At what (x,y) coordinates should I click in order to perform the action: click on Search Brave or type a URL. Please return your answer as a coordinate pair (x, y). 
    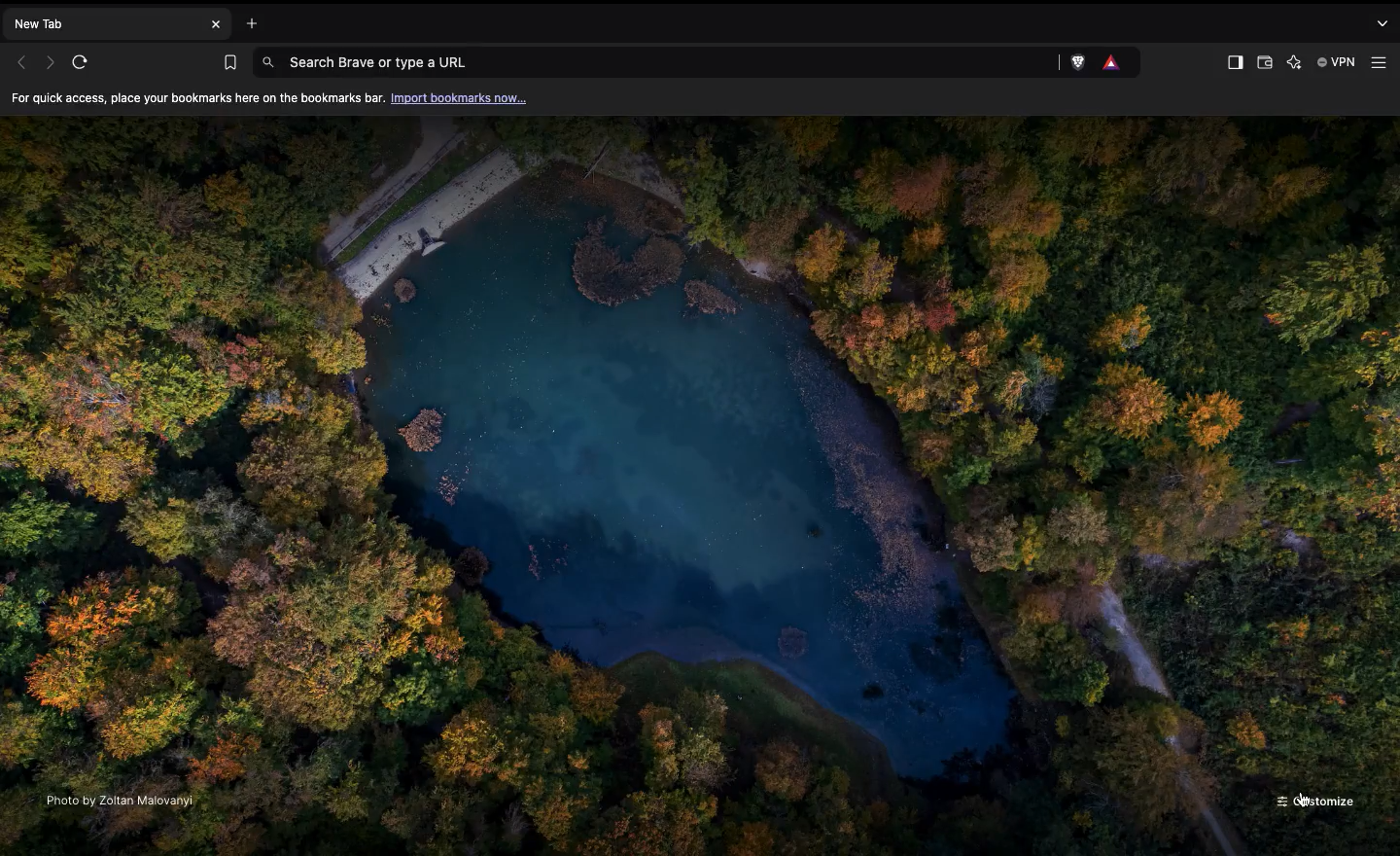
    Looking at the image, I should click on (657, 61).